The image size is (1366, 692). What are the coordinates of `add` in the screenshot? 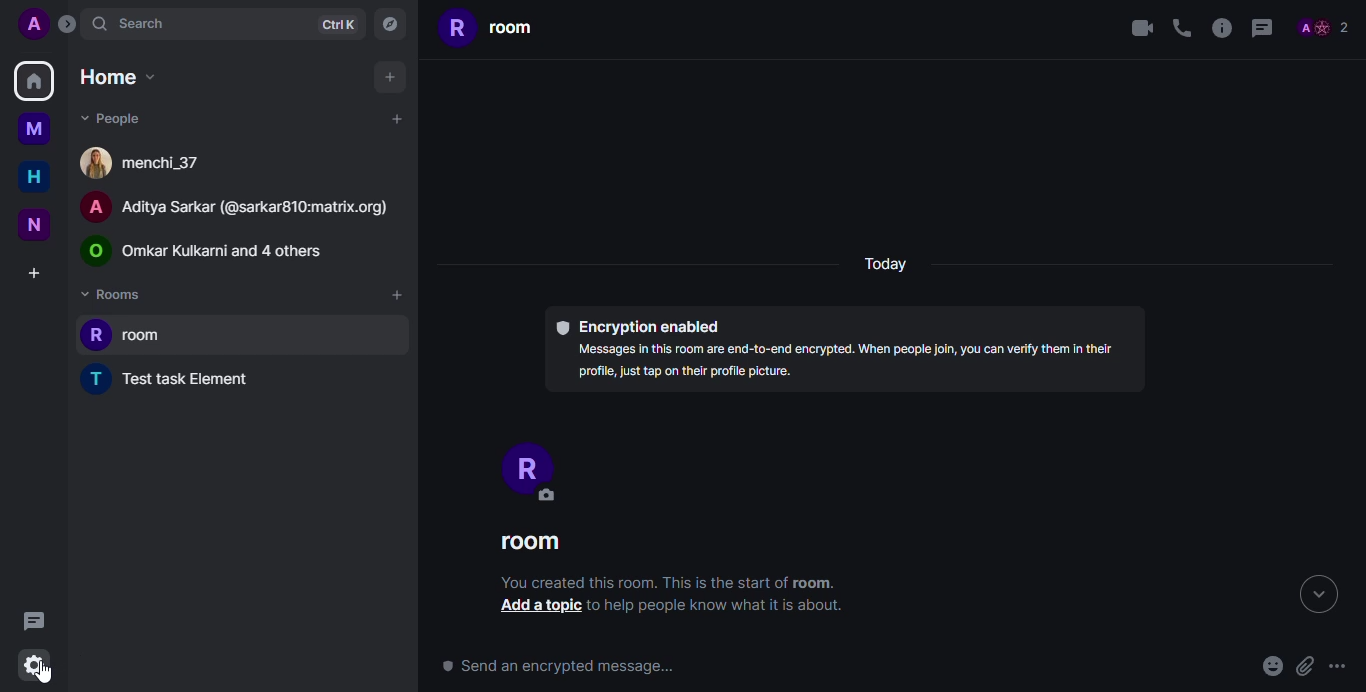 It's located at (393, 118).